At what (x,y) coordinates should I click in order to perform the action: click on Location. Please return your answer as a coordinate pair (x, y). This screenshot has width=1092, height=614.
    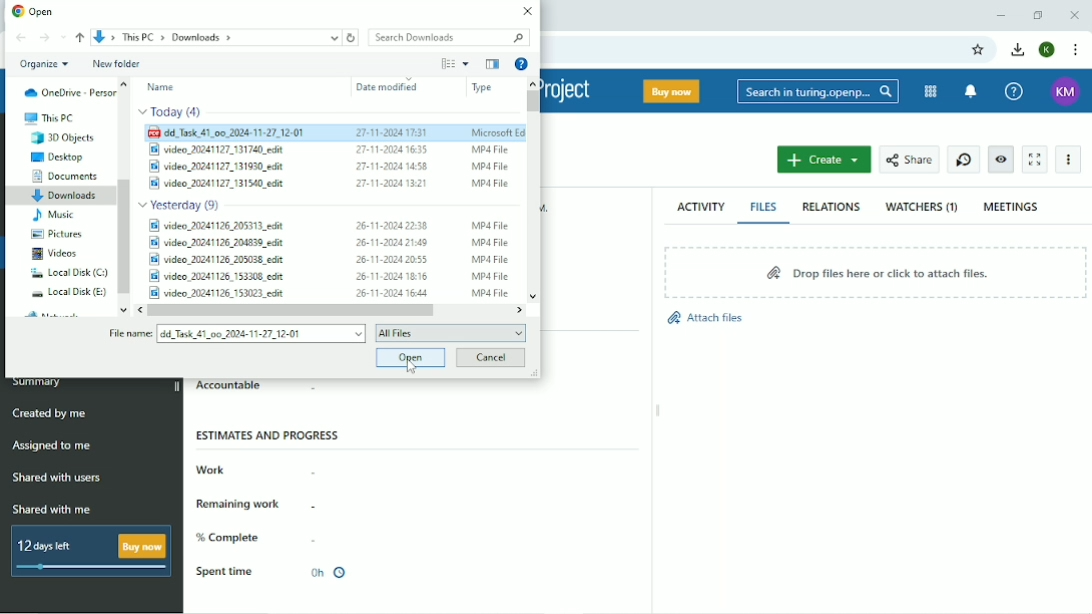
    Looking at the image, I should click on (215, 37).